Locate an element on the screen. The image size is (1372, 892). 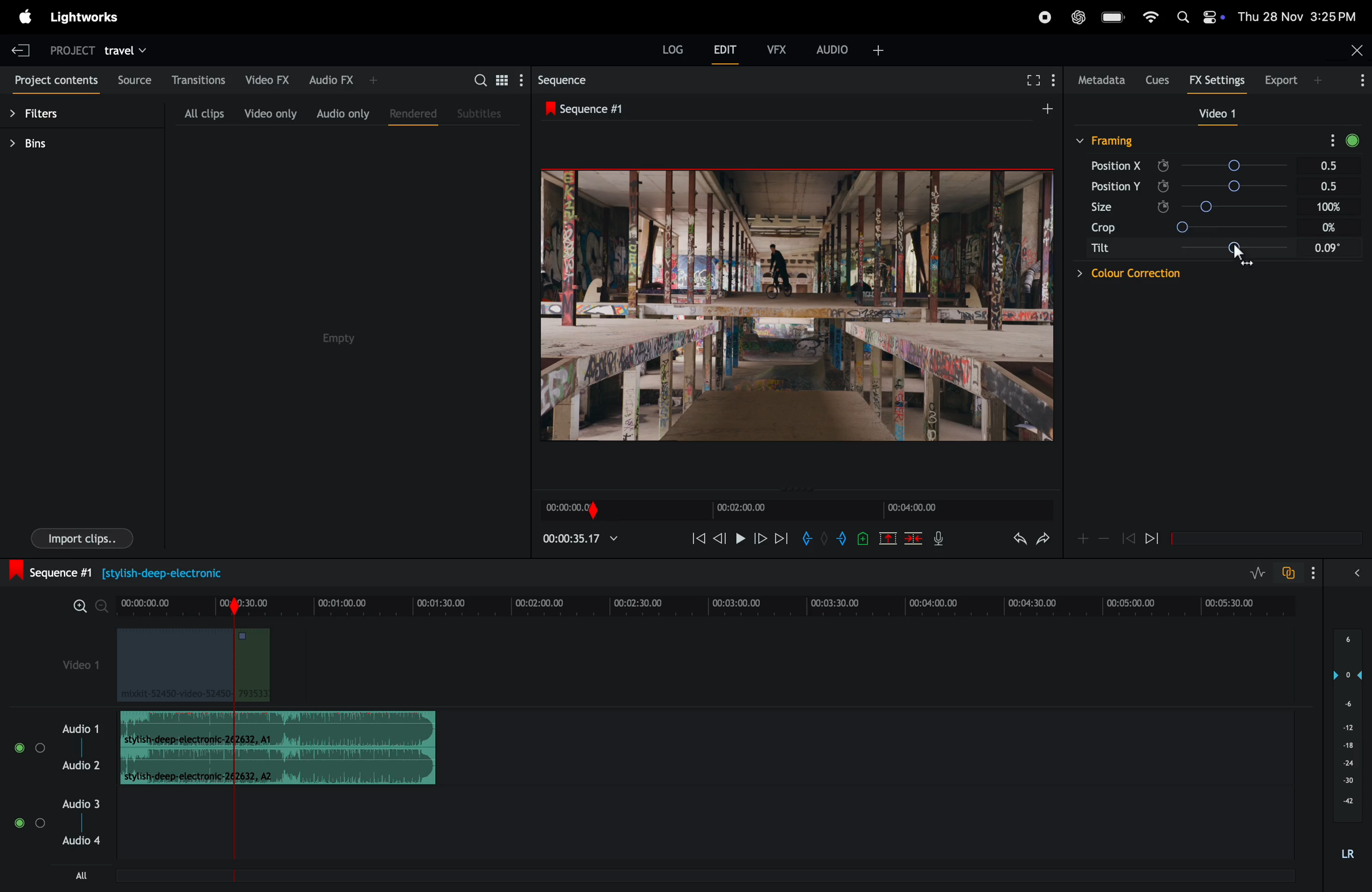
sequence 1 is located at coordinates (142, 571).